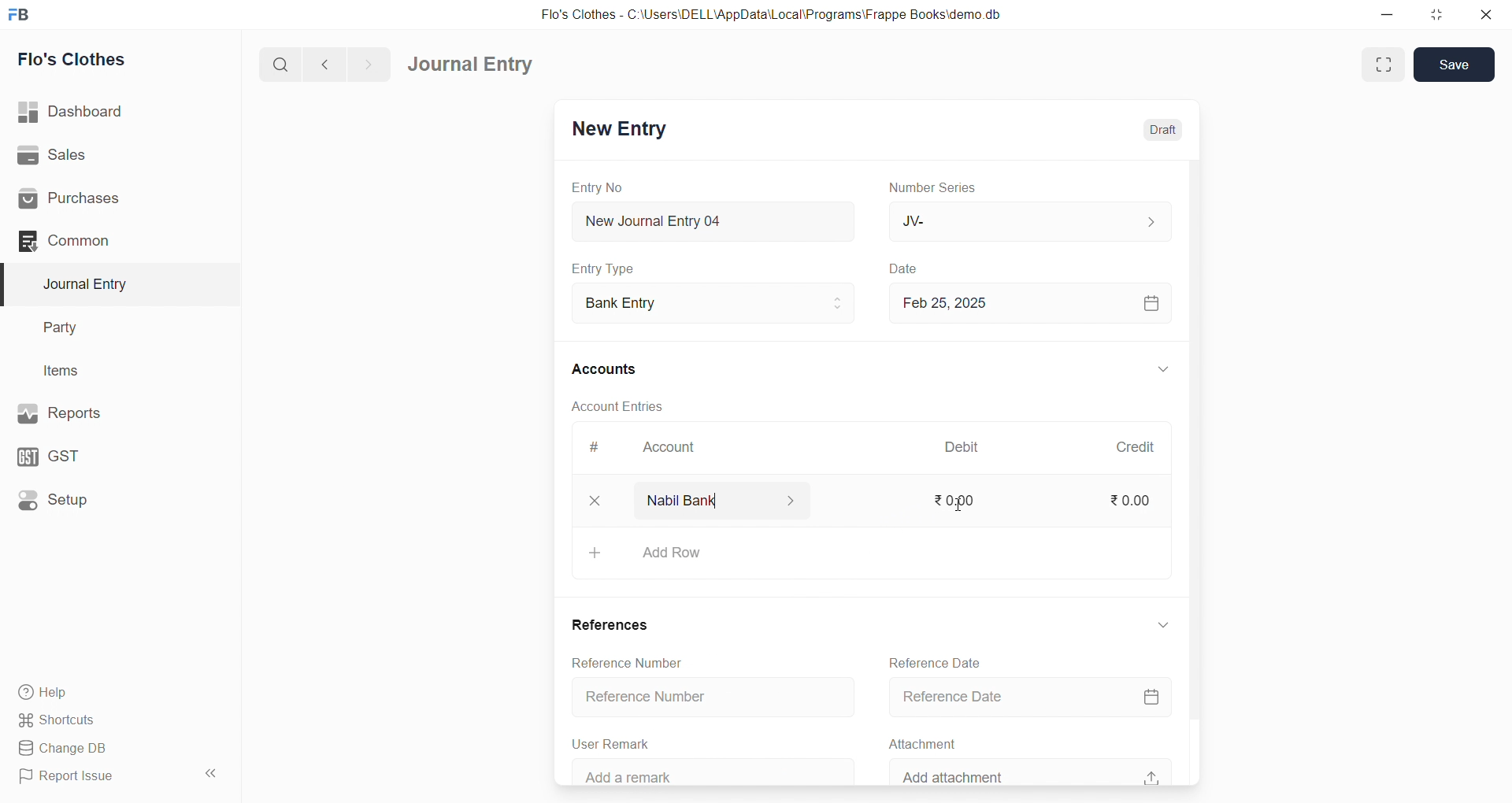 Image resolution: width=1512 pixels, height=803 pixels. I want to click on Expand Window, so click(1384, 65).